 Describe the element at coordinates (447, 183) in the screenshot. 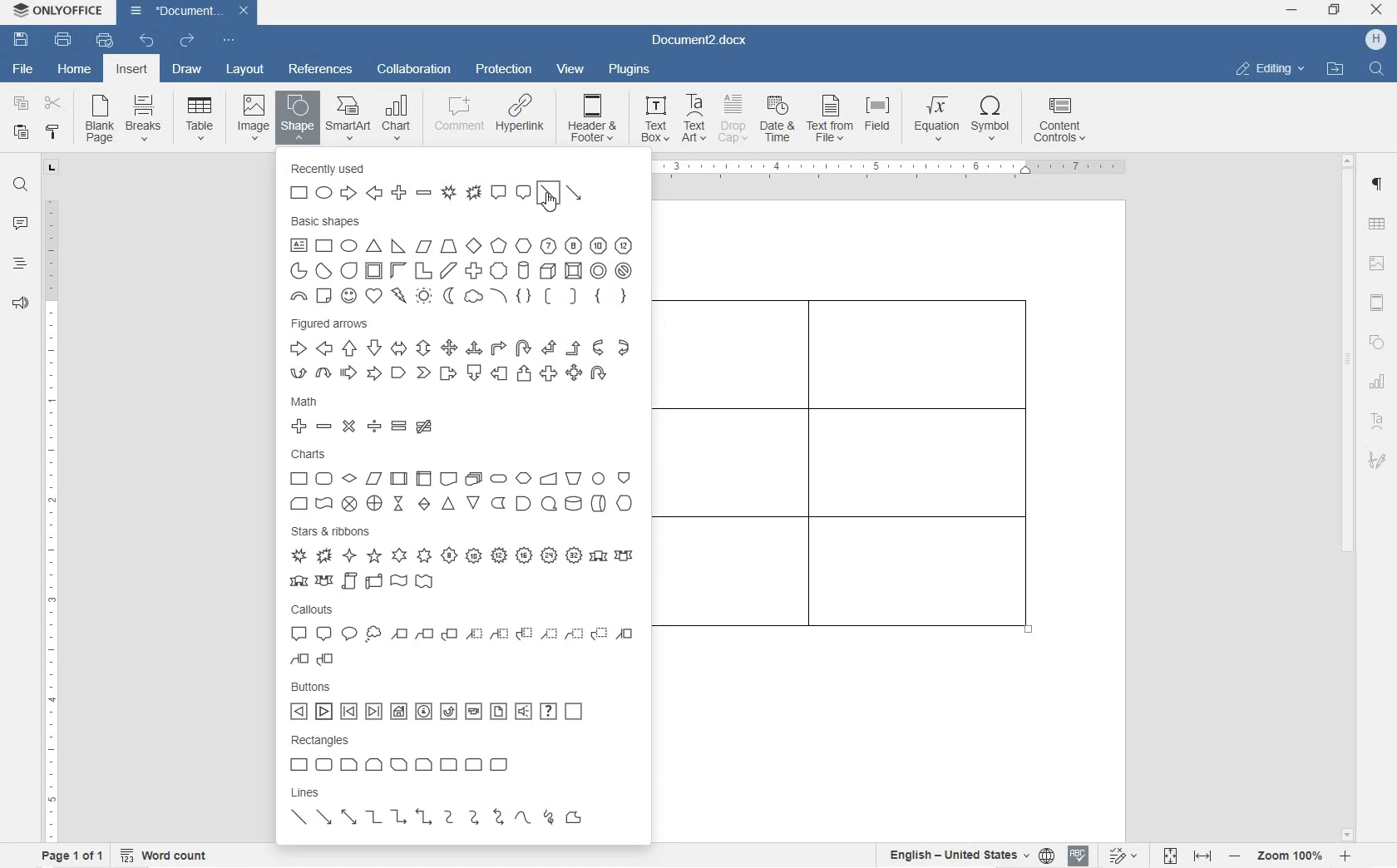

I see `recently used` at that location.